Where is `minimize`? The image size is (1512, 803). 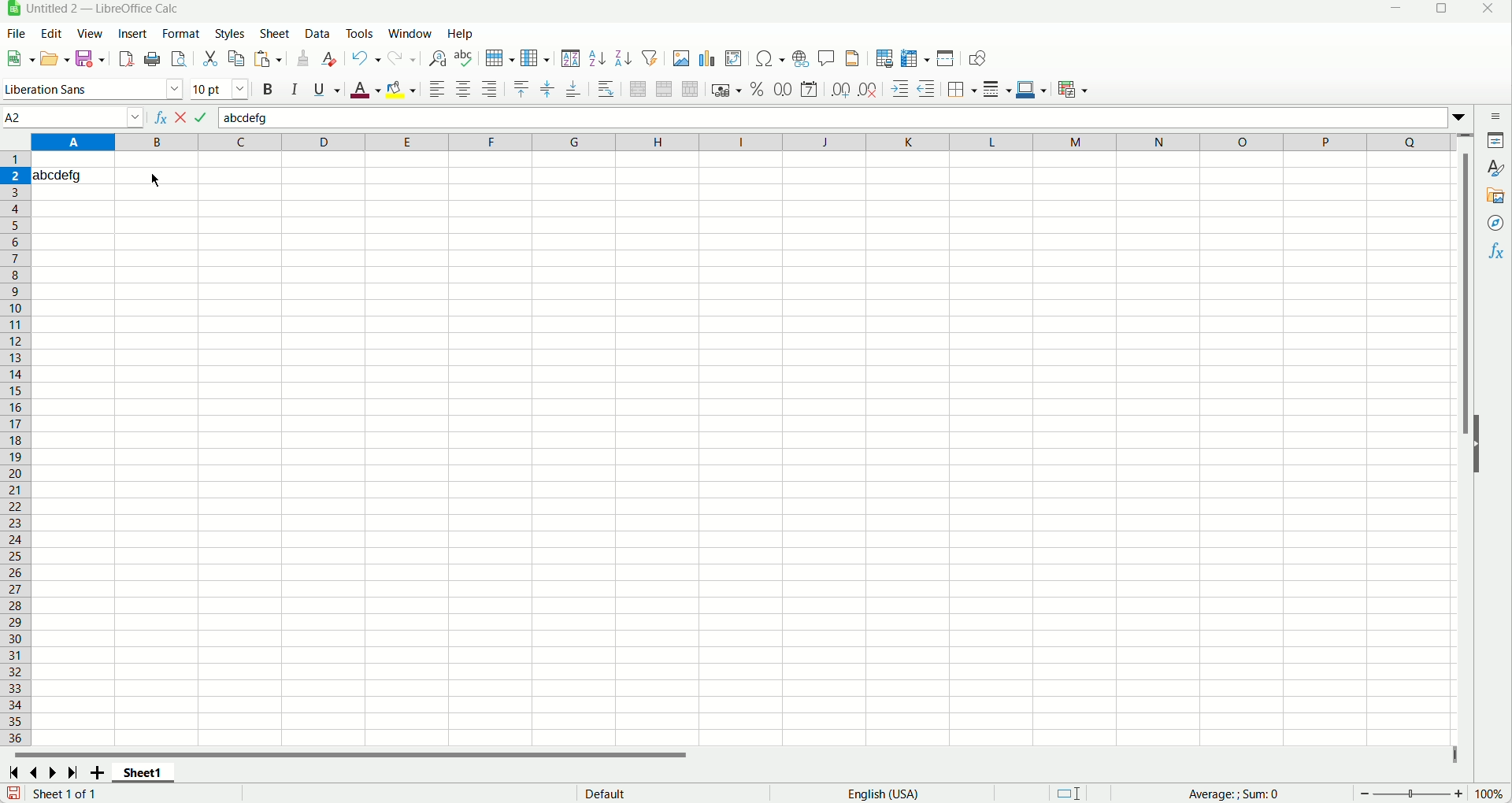
minimize is located at coordinates (1398, 9).